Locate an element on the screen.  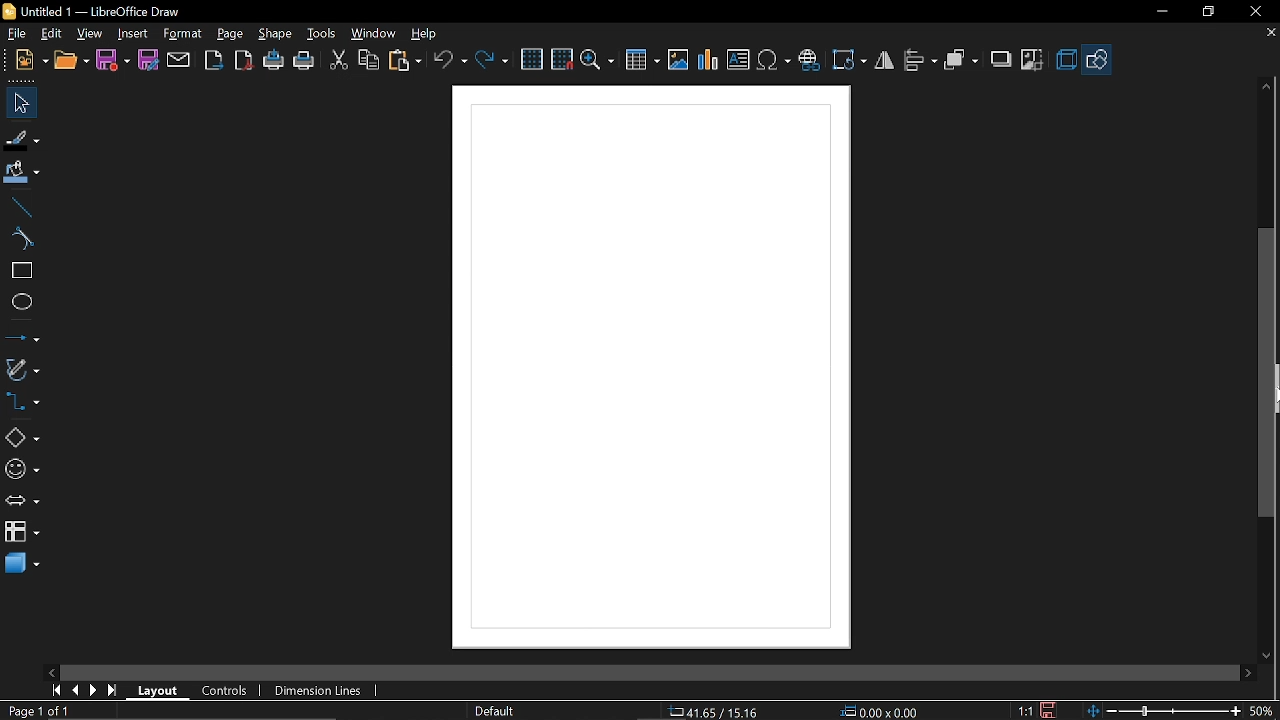
shadow is located at coordinates (1001, 61).